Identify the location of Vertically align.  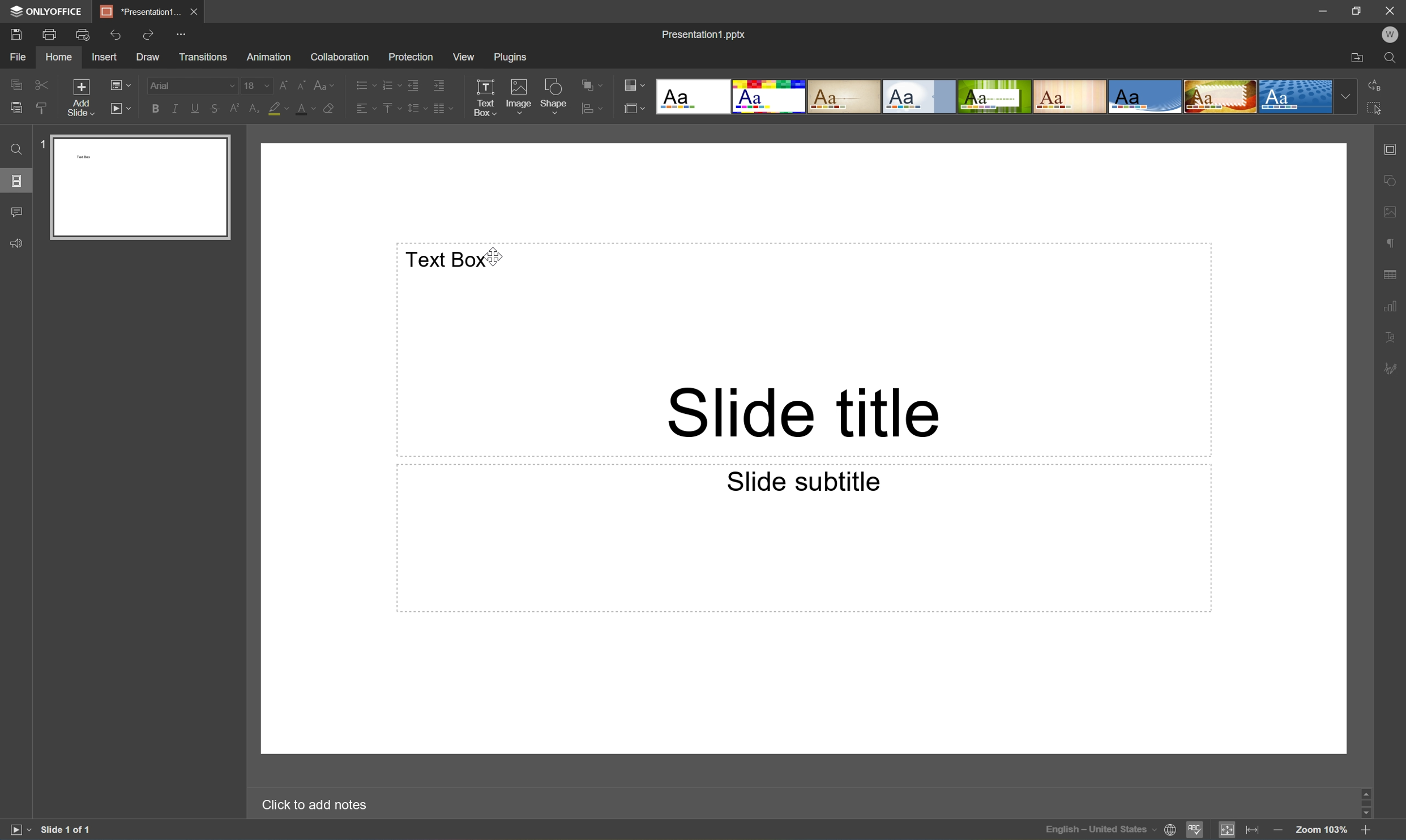
(390, 110).